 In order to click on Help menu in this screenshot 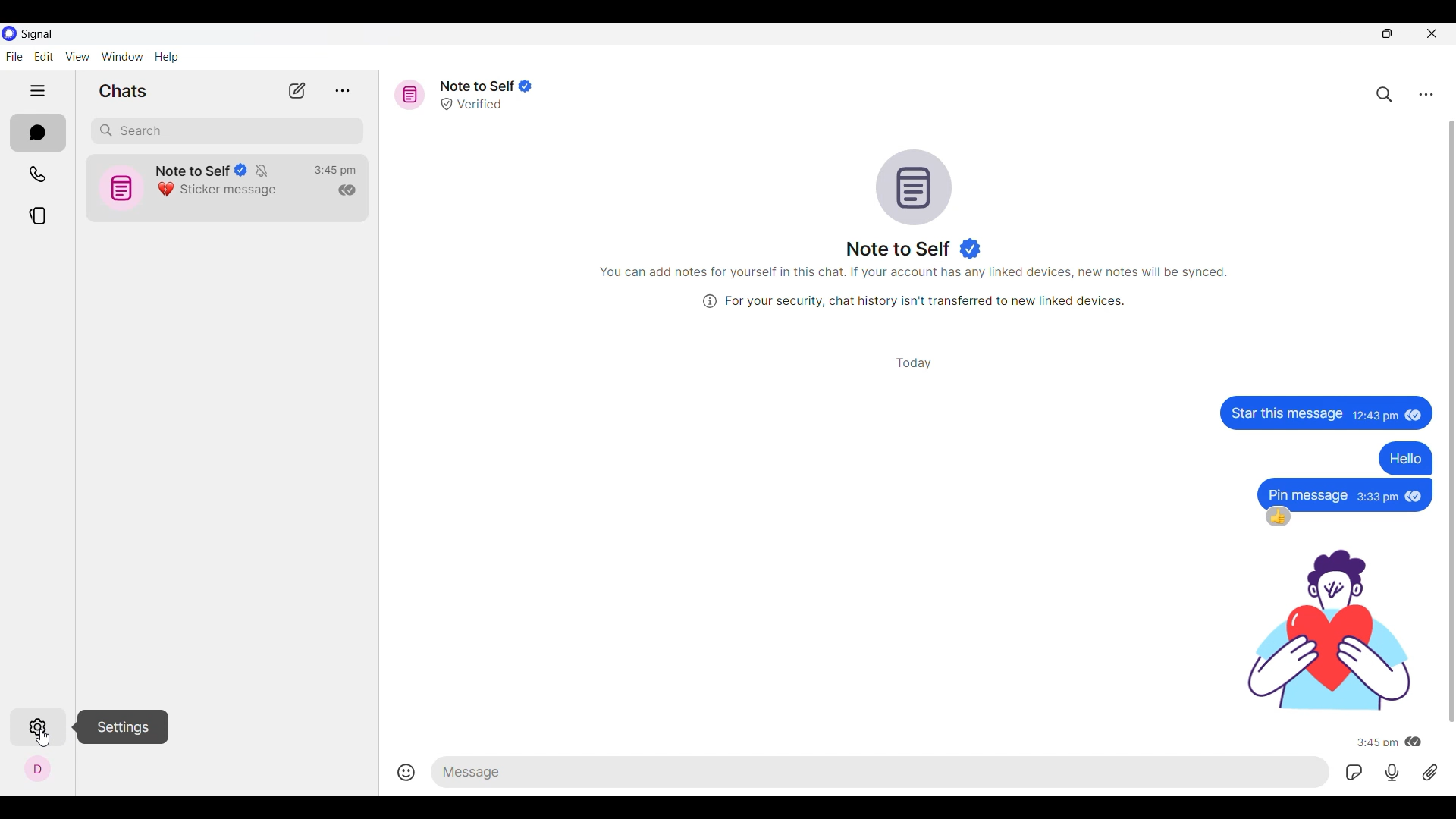, I will do `click(166, 57)`.